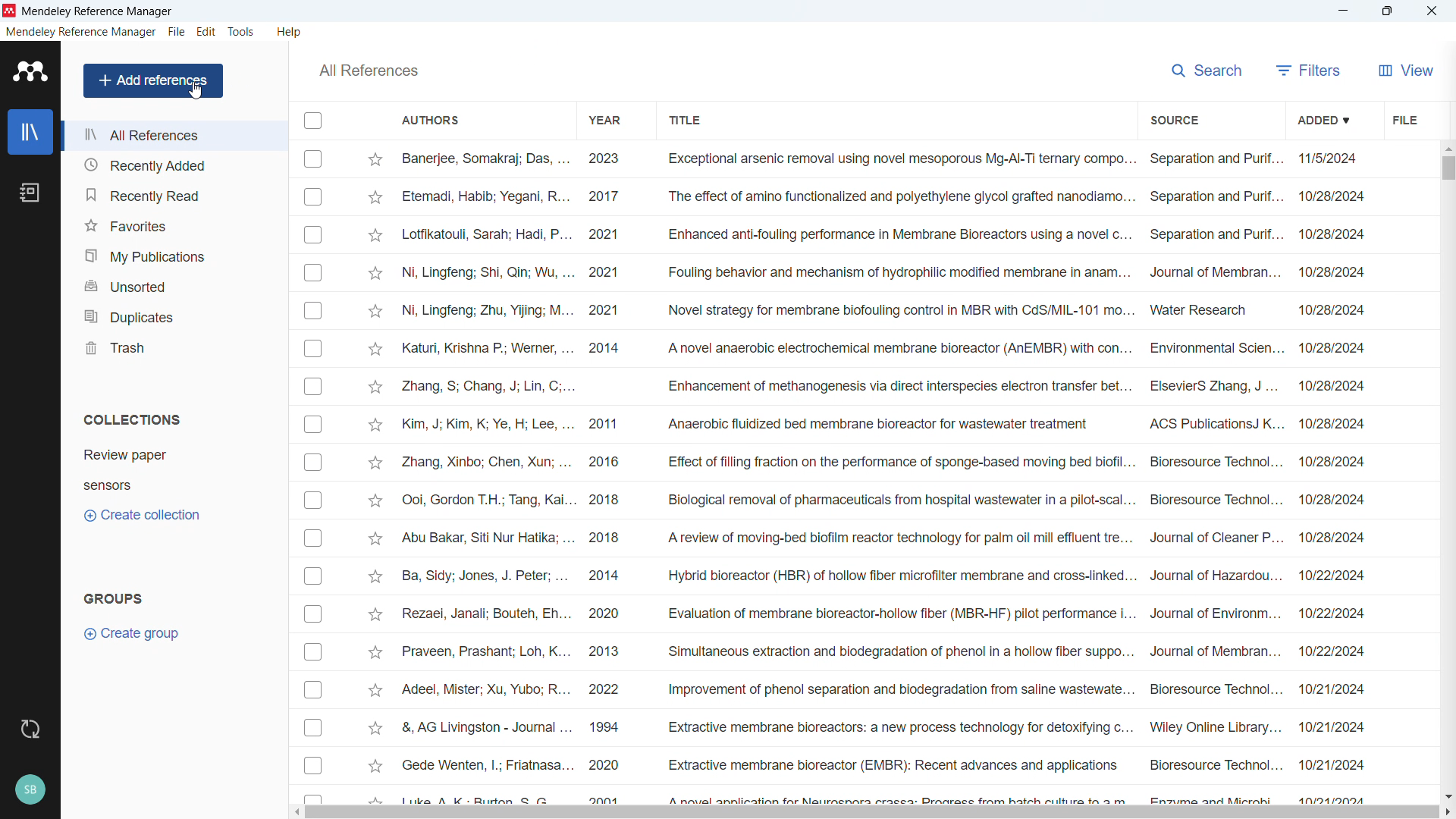 The image size is (1456, 819). What do you see at coordinates (1174, 121) in the screenshot?
I see `Sort by source ` at bounding box center [1174, 121].